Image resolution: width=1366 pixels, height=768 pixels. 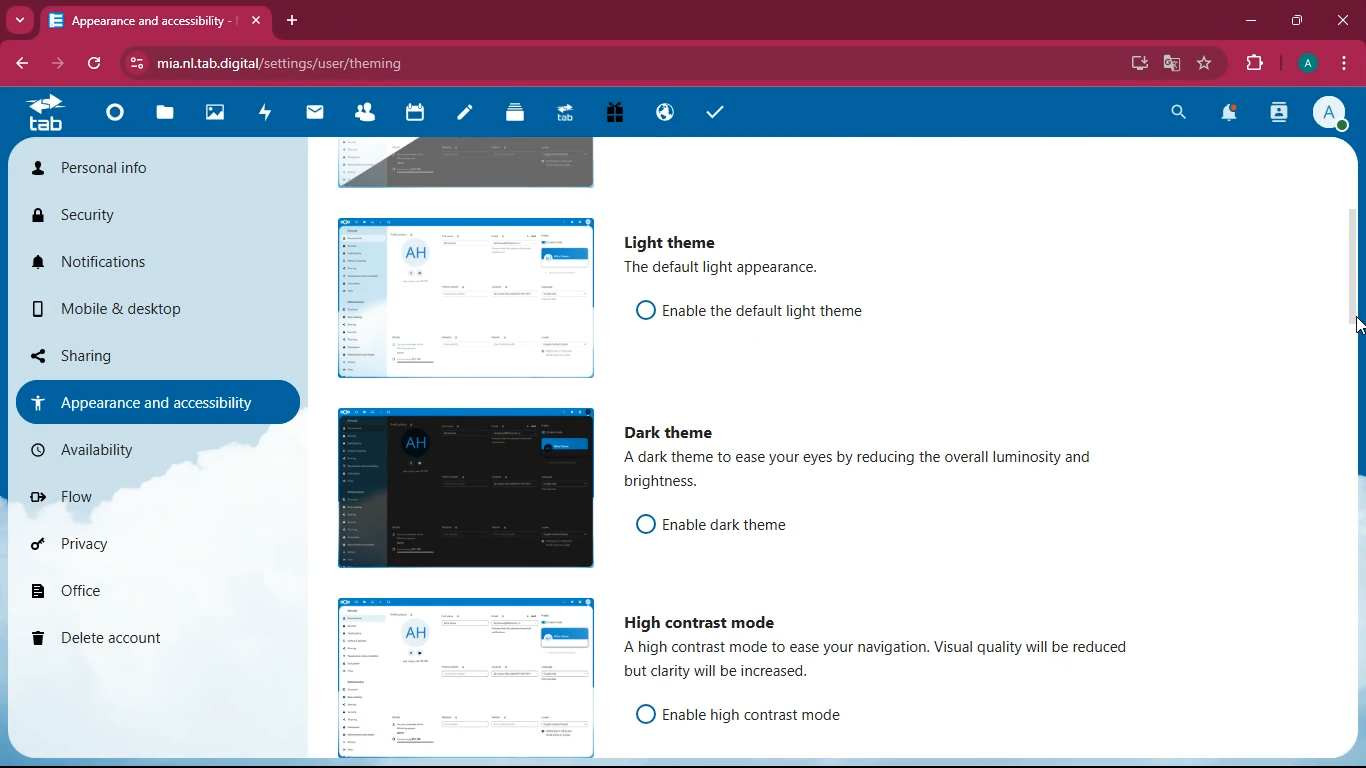 I want to click on add tab, so click(x=293, y=21).